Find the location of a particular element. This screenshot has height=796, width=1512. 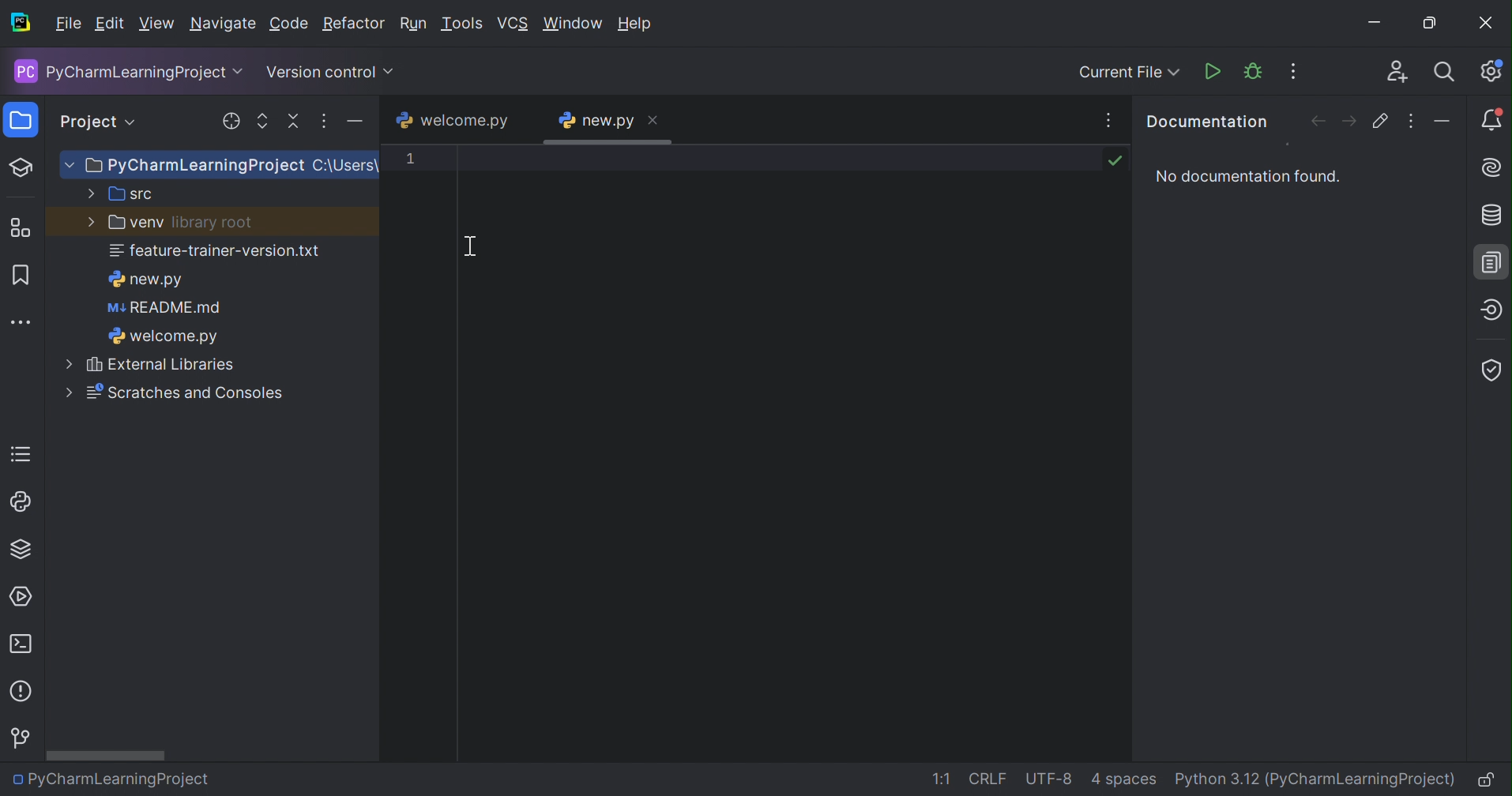

Project icon is located at coordinates (17, 121).